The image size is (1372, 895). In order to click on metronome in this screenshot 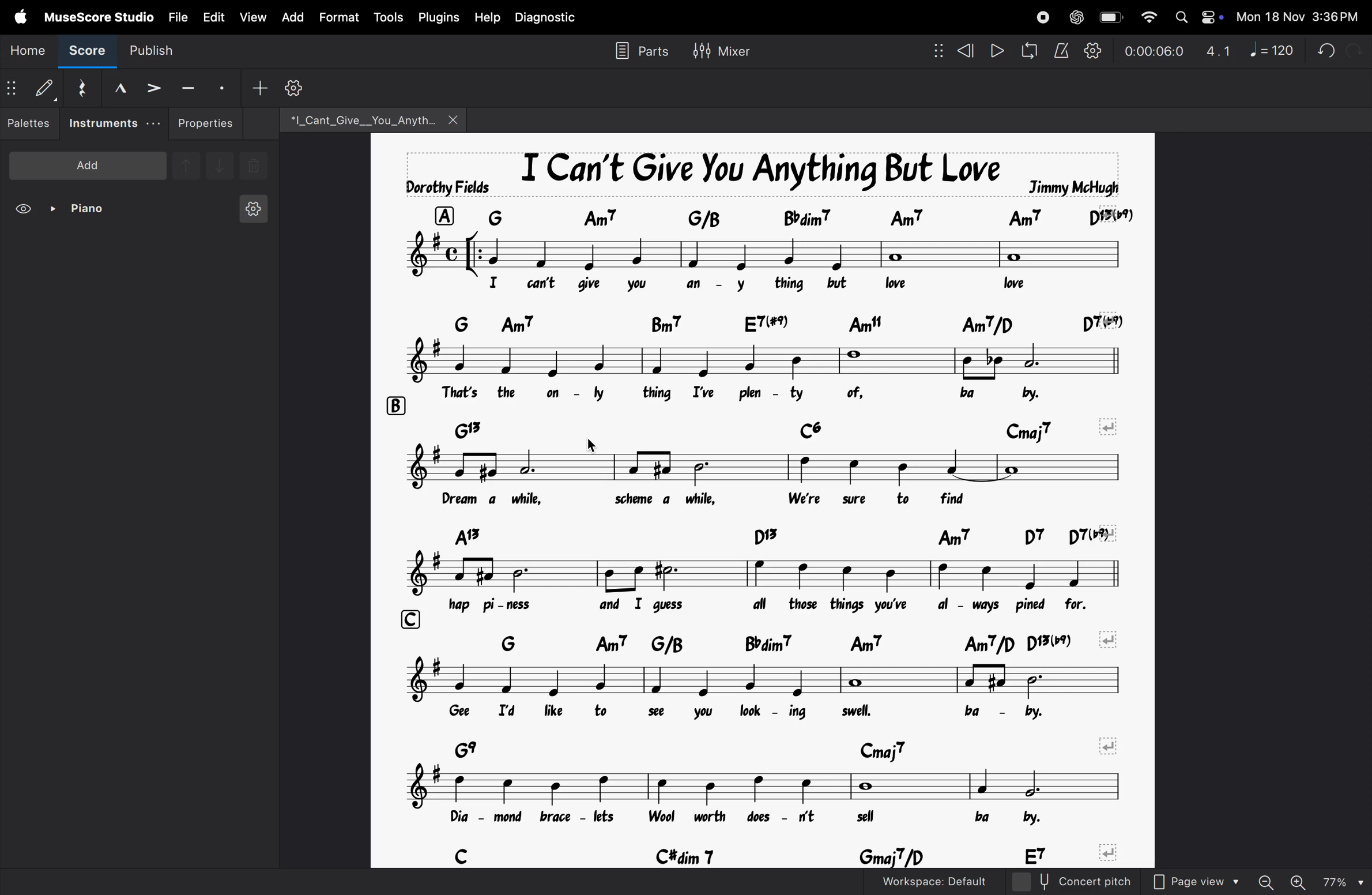, I will do `click(1062, 51)`.